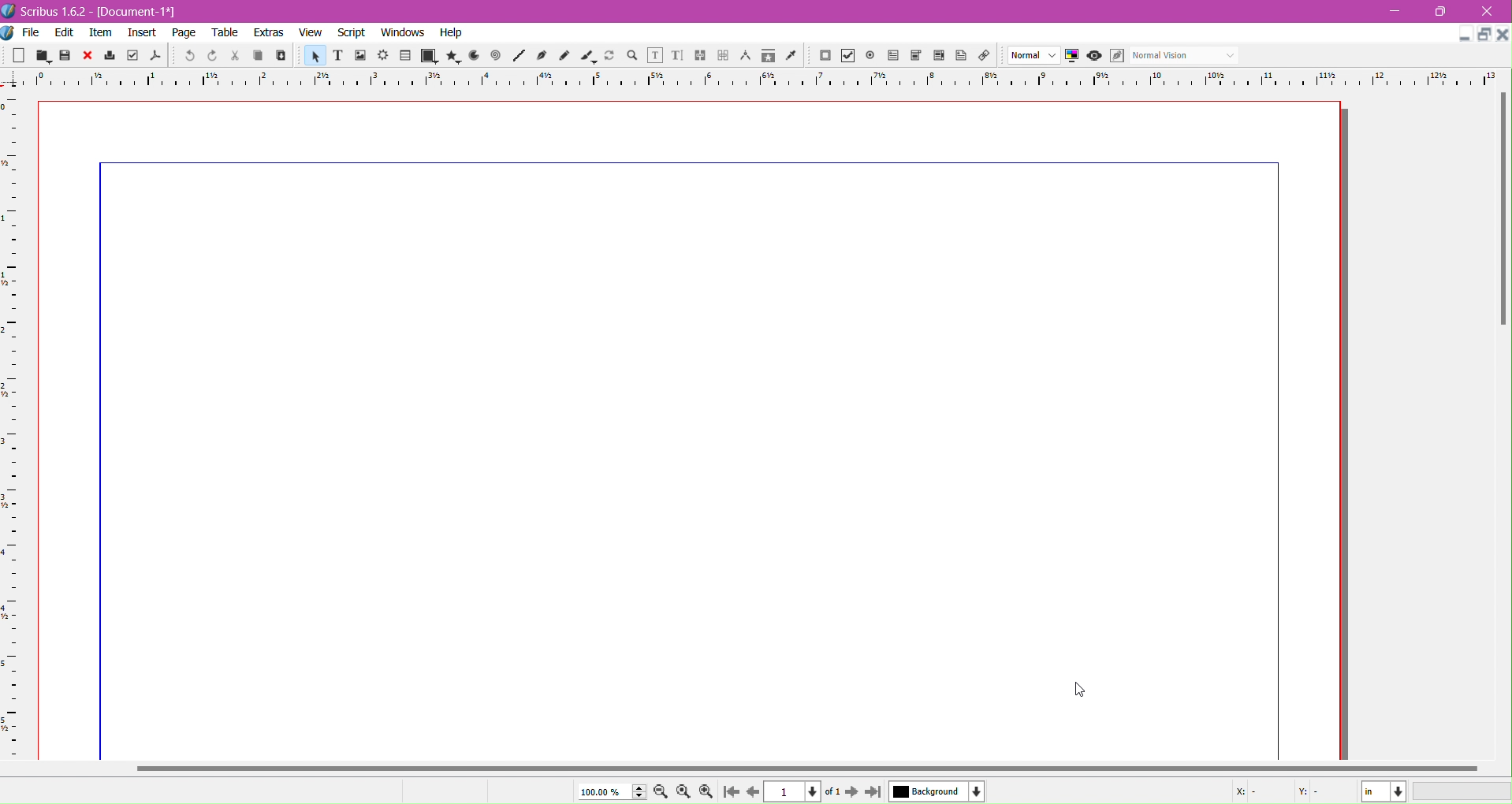 The image size is (1512, 804). I want to click on pdf checkbox, so click(847, 56).